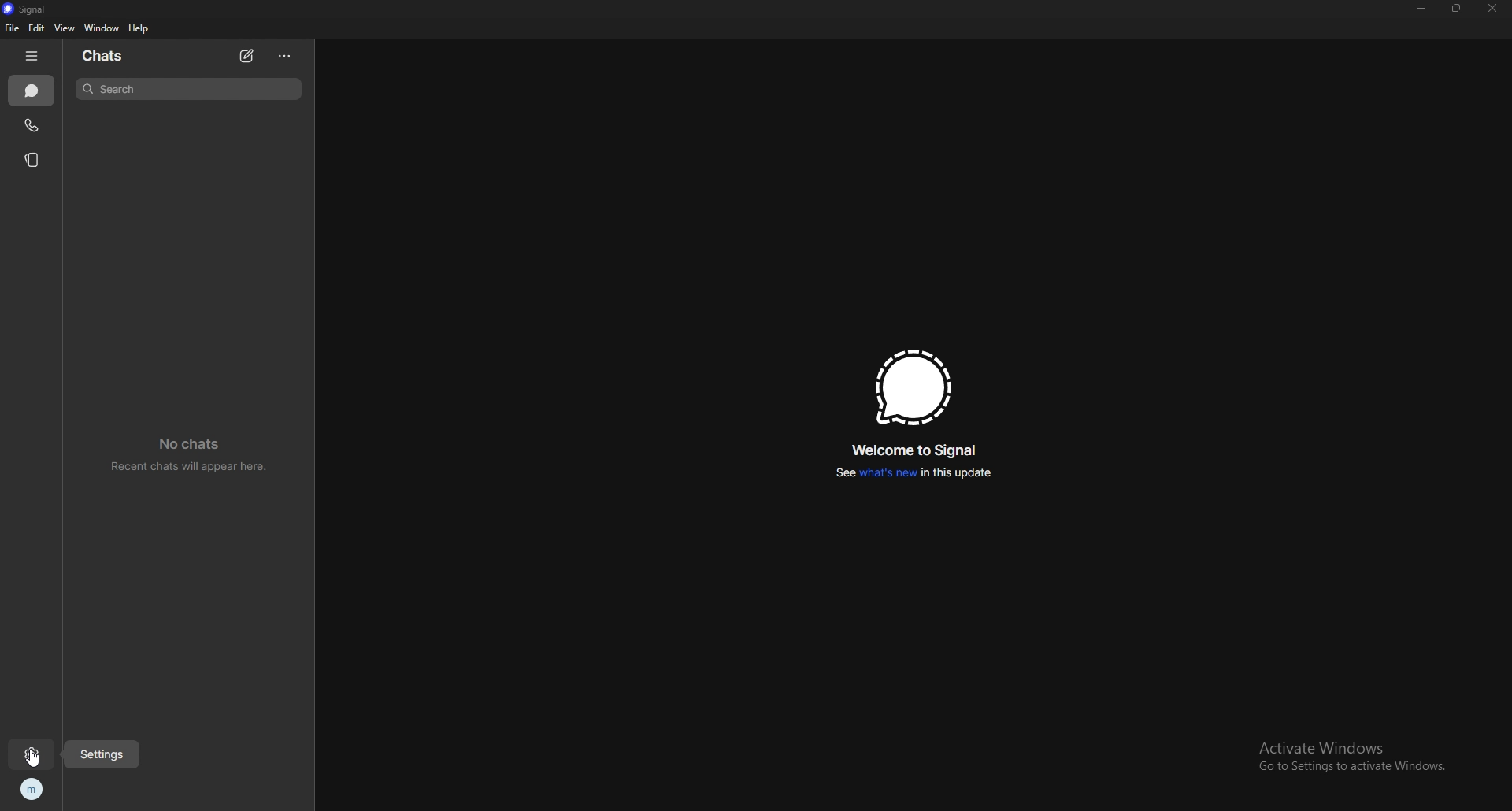 The height and width of the screenshot is (811, 1512). Describe the element at coordinates (195, 457) in the screenshot. I see `no chats recent chats will appear here` at that location.